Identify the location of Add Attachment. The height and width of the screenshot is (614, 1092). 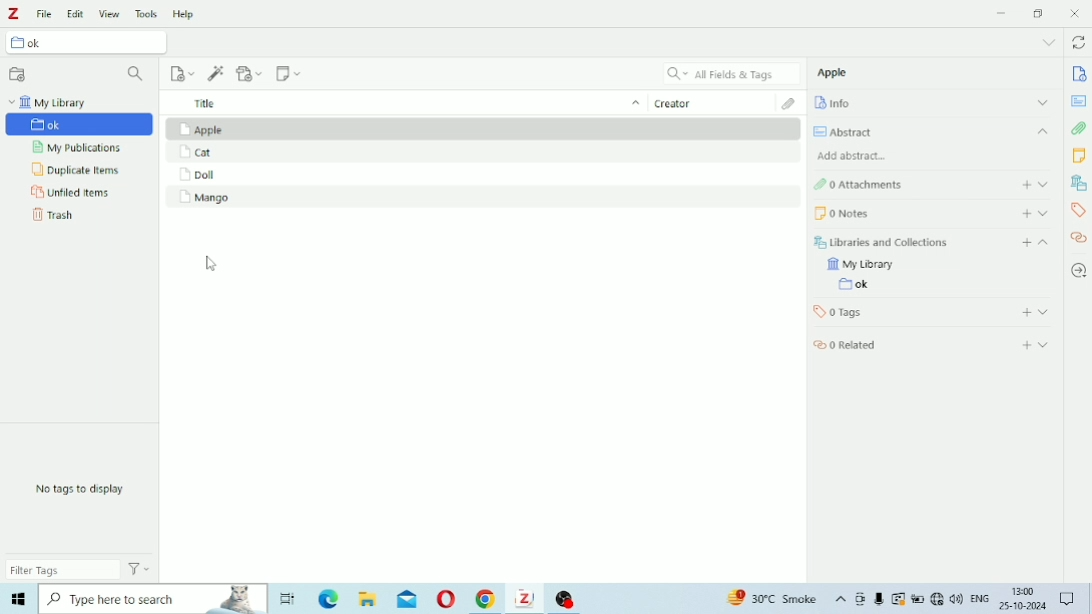
(249, 73).